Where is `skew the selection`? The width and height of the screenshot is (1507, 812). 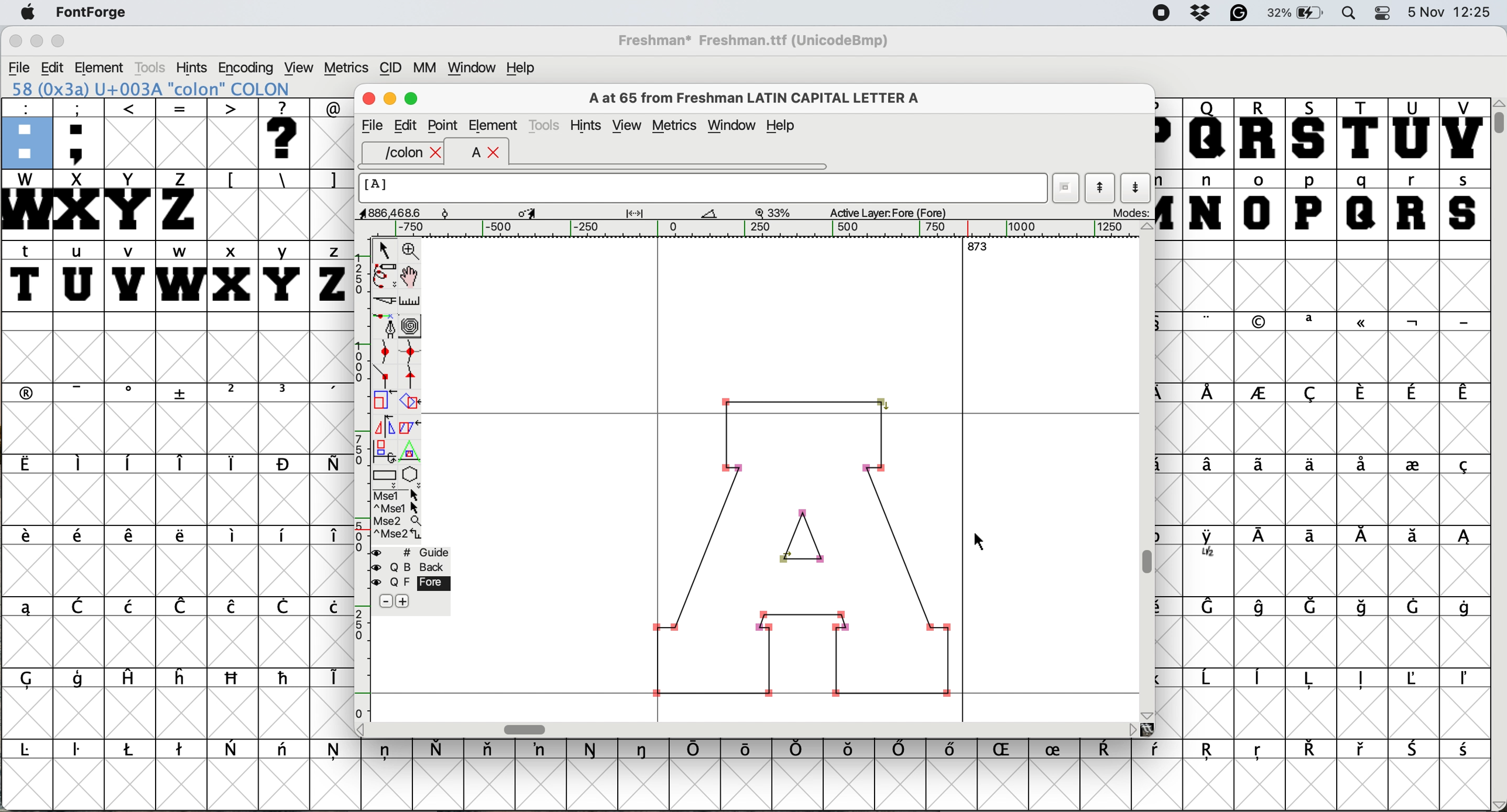
skew the selection is located at coordinates (410, 426).